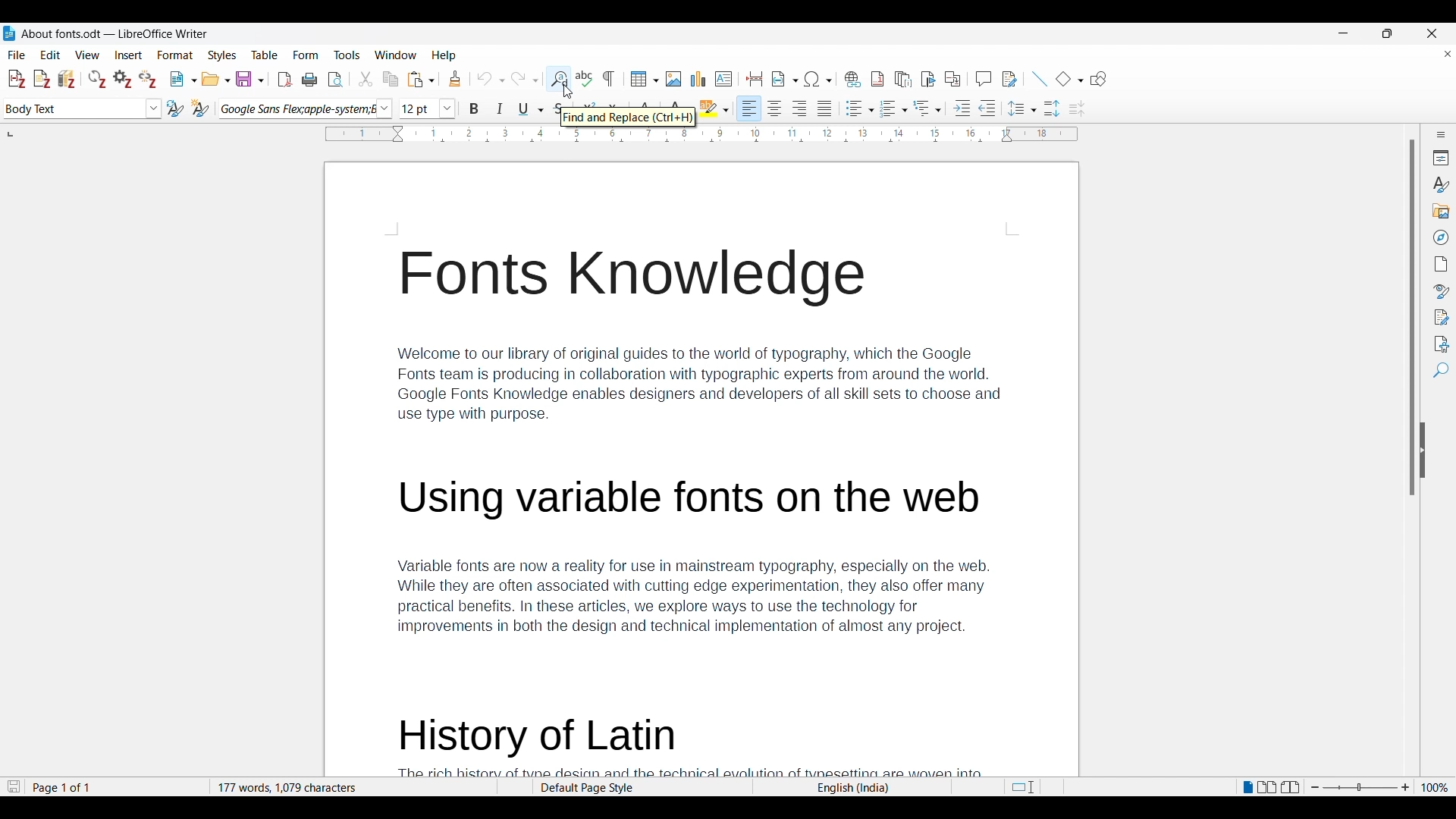  I want to click on Minimize, so click(1343, 33).